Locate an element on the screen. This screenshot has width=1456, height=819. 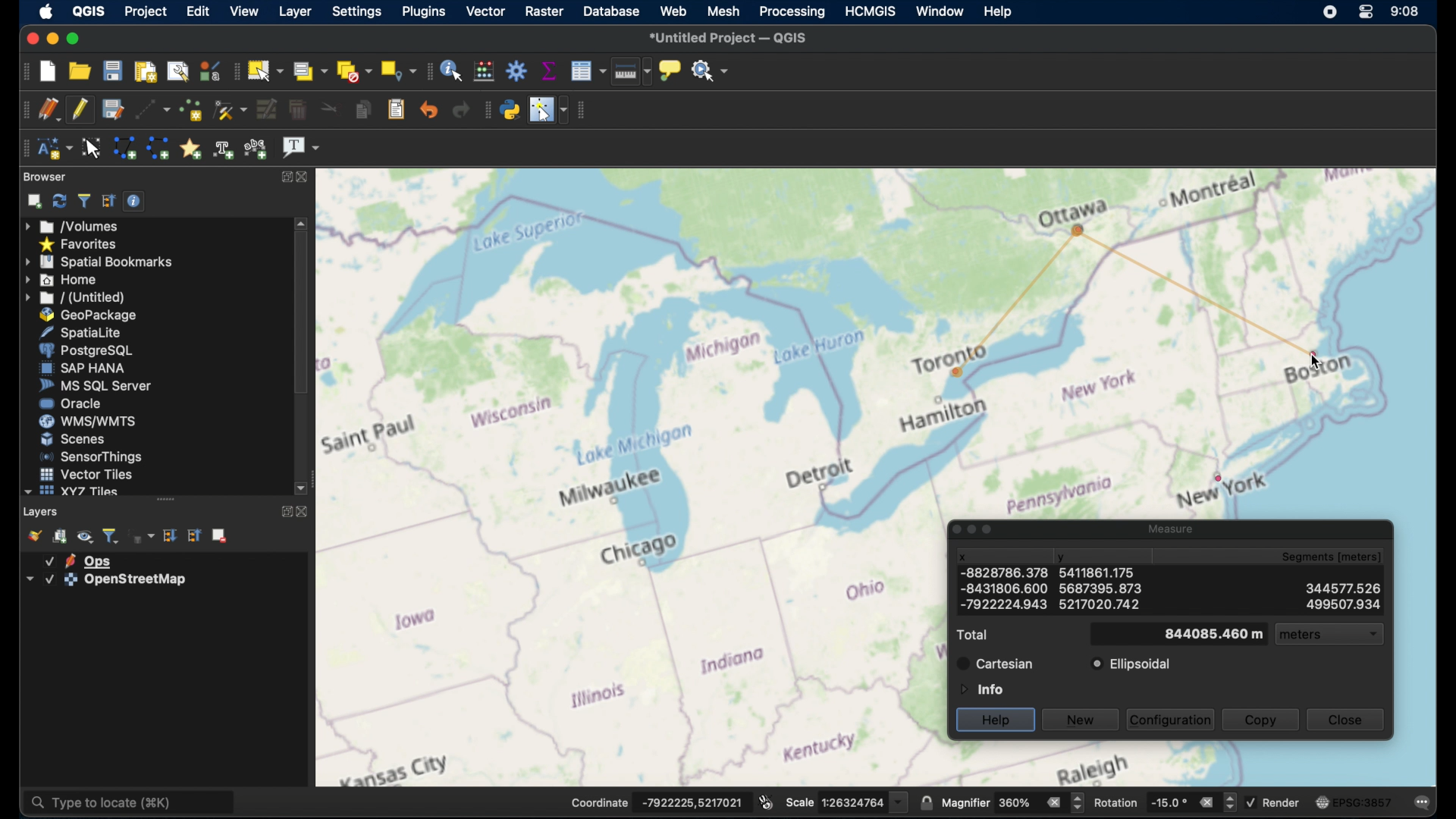
meters is located at coordinates (1336, 636).